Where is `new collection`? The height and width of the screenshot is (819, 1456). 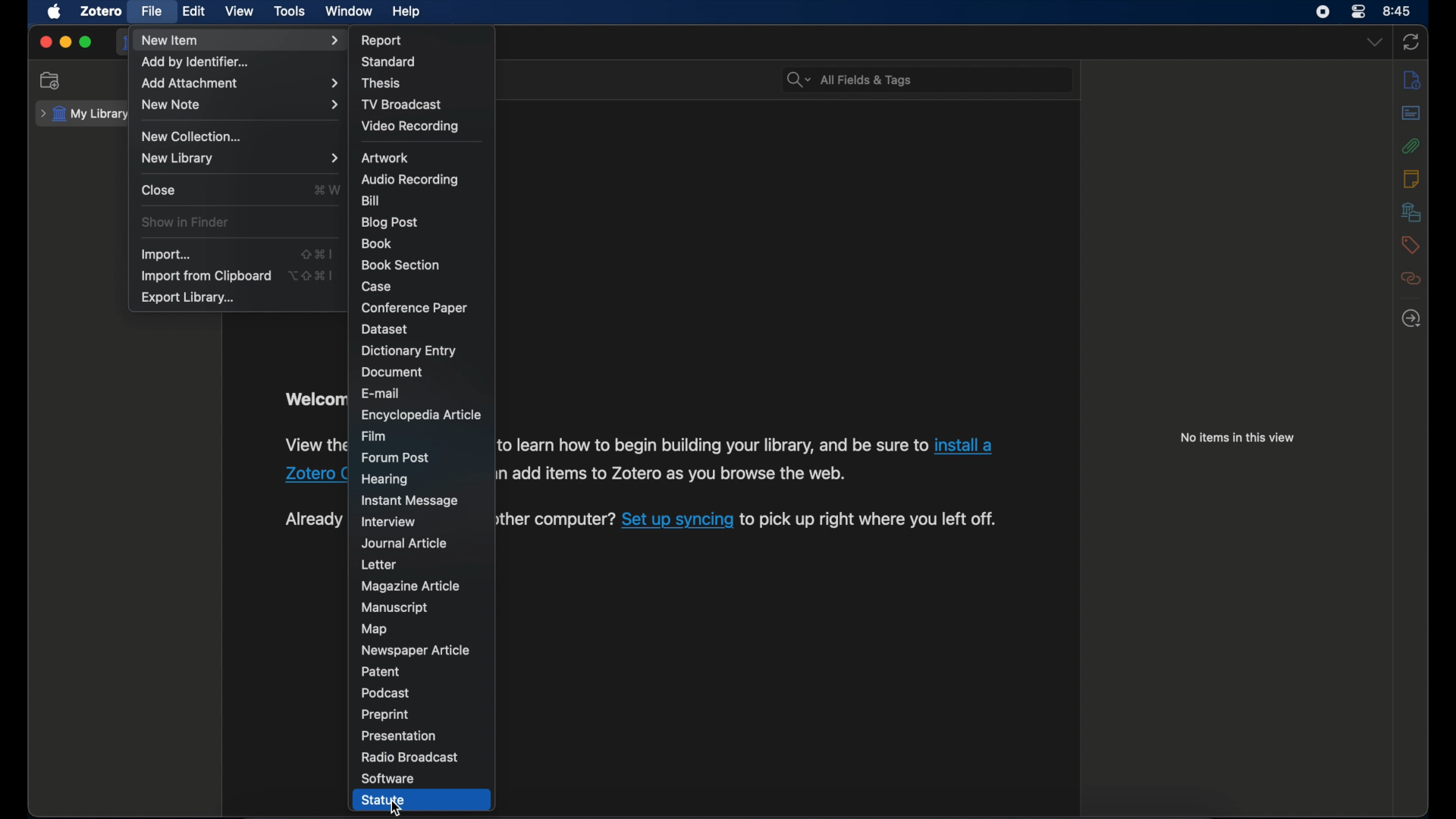 new collection is located at coordinates (192, 136).